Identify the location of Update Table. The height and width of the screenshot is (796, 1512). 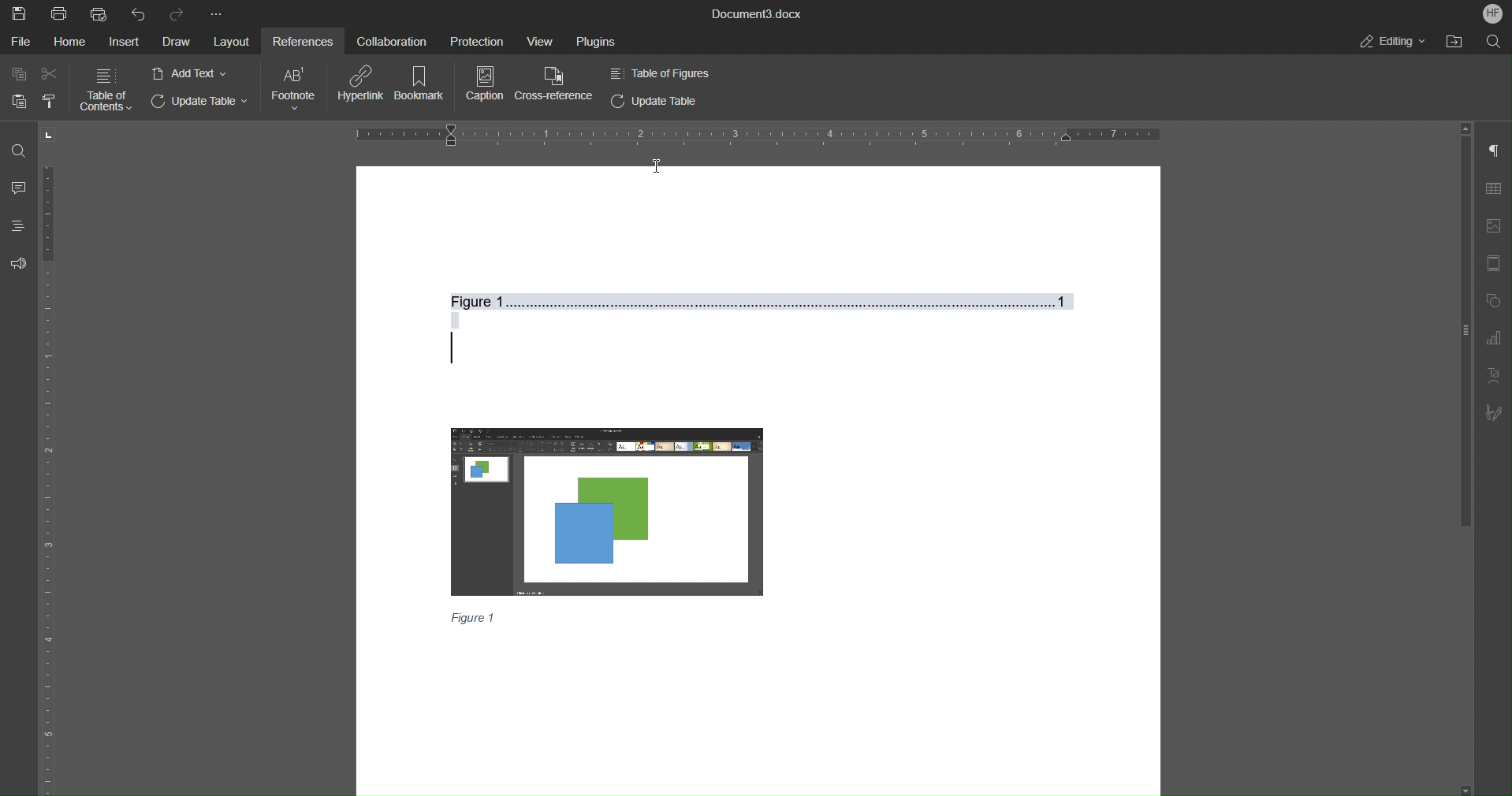
(203, 103).